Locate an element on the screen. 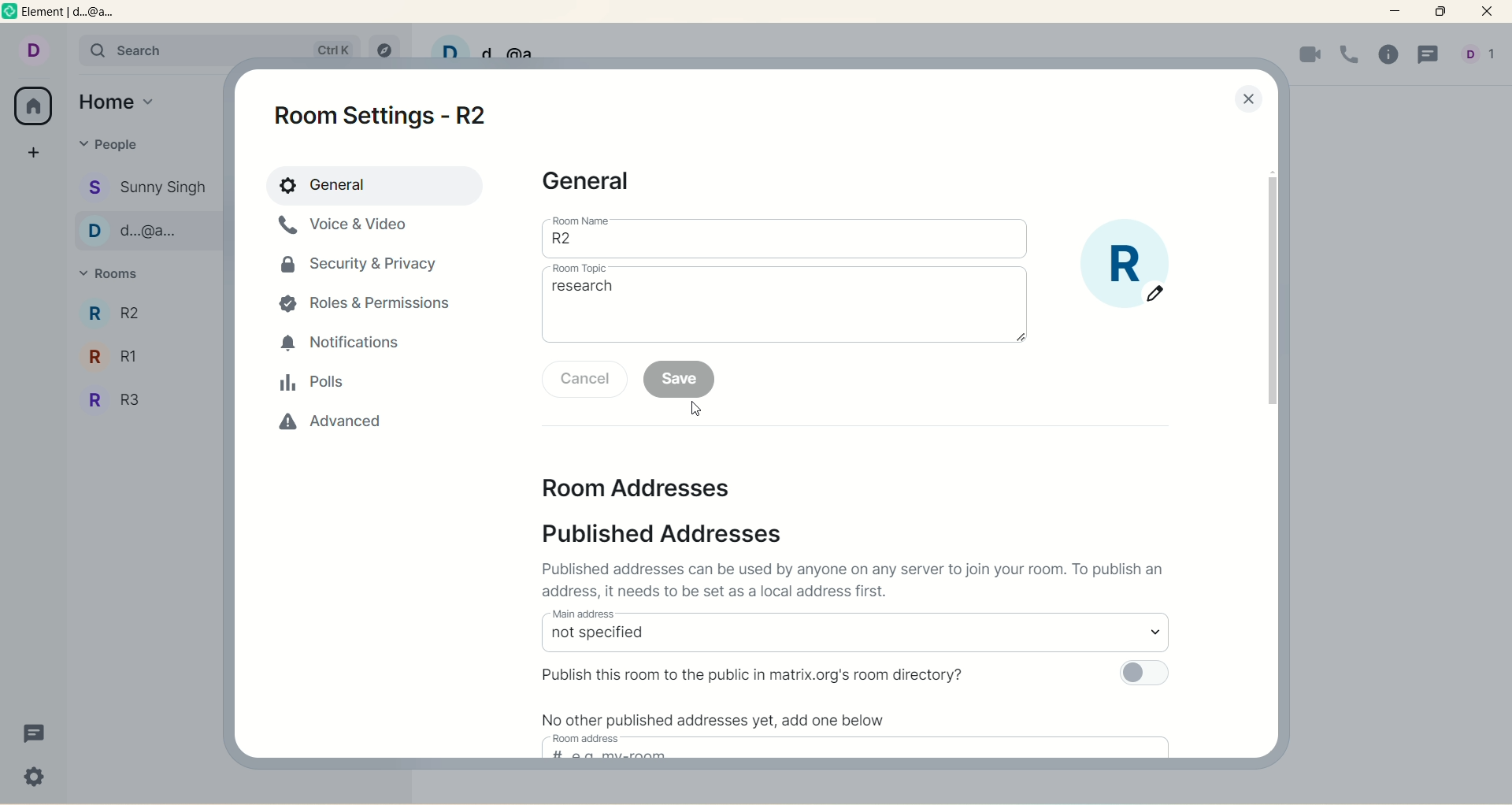 This screenshot has width=1512, height=805. rooms is located at coordinates (115, 275).